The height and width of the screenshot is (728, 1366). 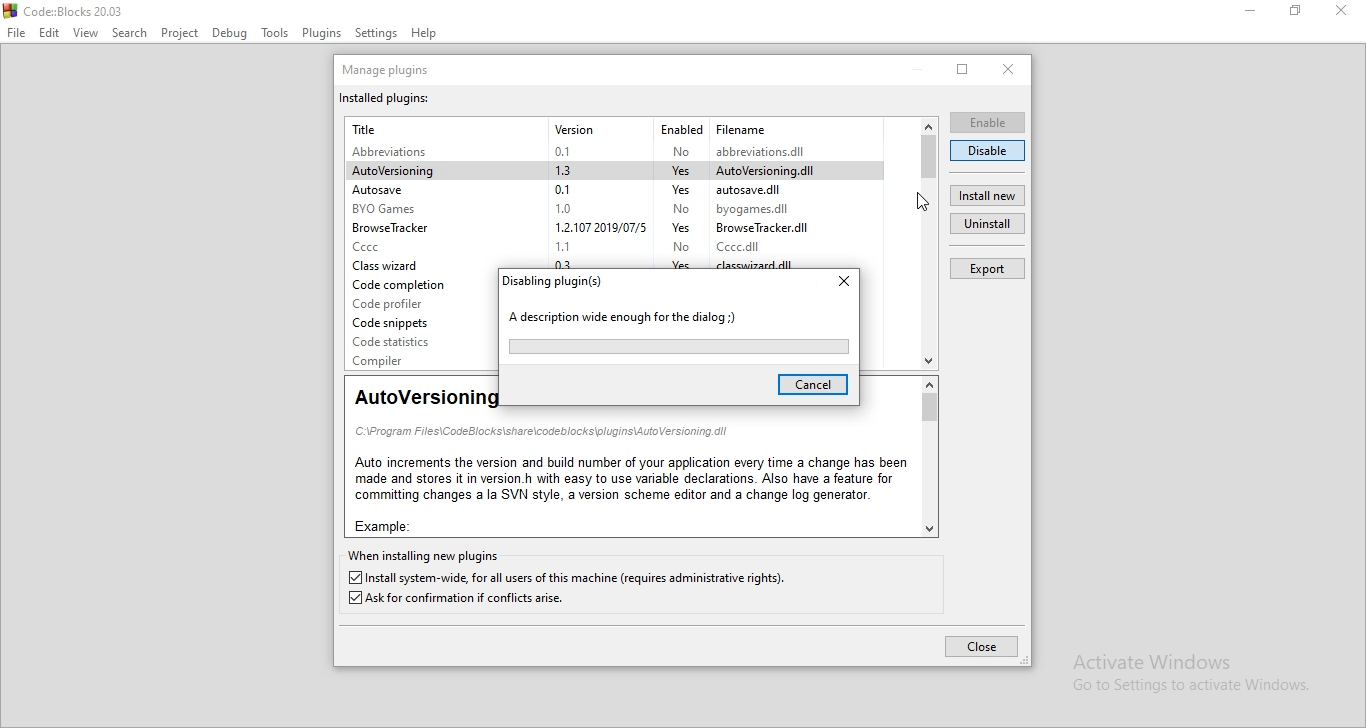 What do you see at coordinates (569, 244) in the screenshot?
I see `1.1` at bounding box center [569, 244].